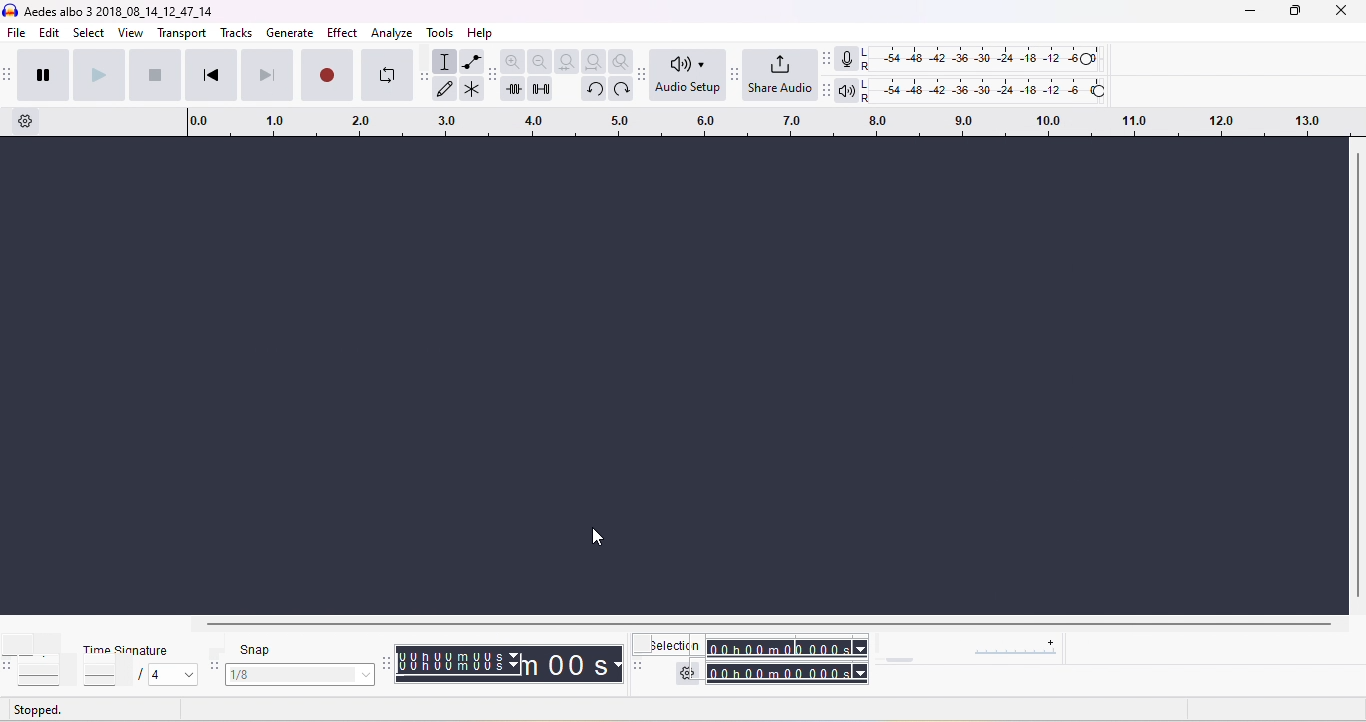 Image resolution: width=1366 pixels, height=722 pixels. I want to click on fit selection to width, so click(569, 62).